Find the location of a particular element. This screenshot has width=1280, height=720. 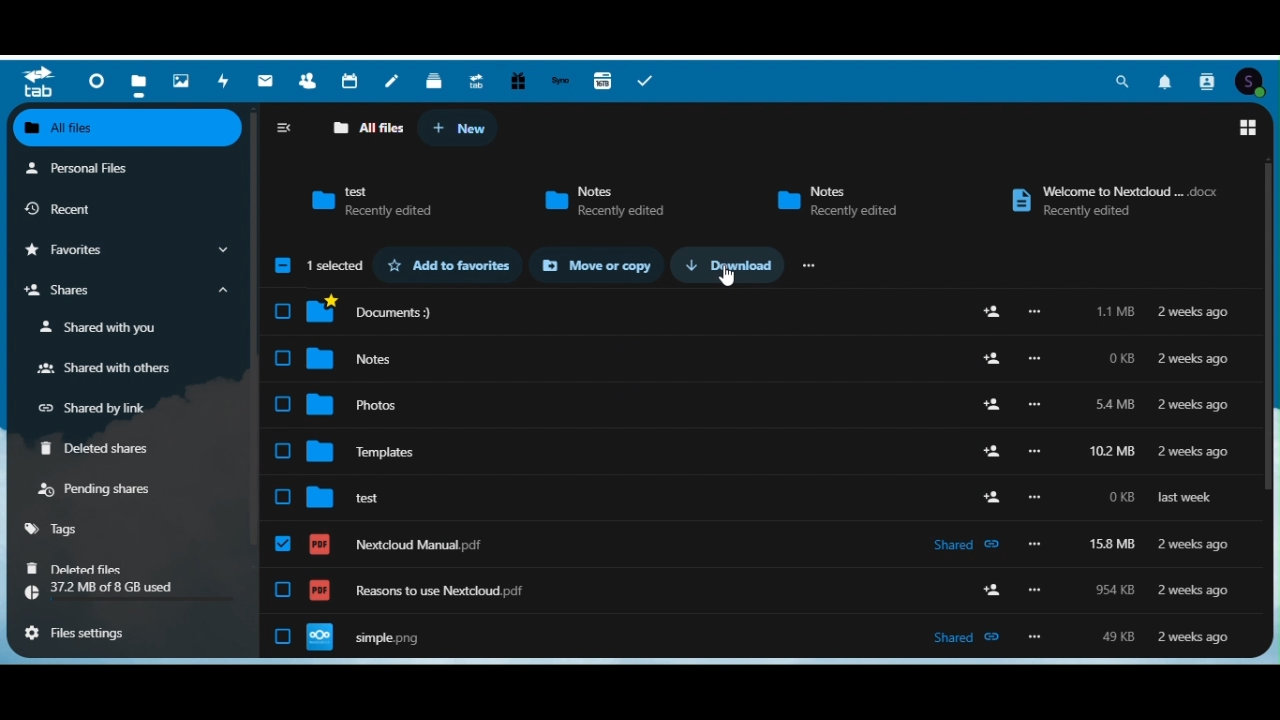

Files is located at coordinates (142, 80).